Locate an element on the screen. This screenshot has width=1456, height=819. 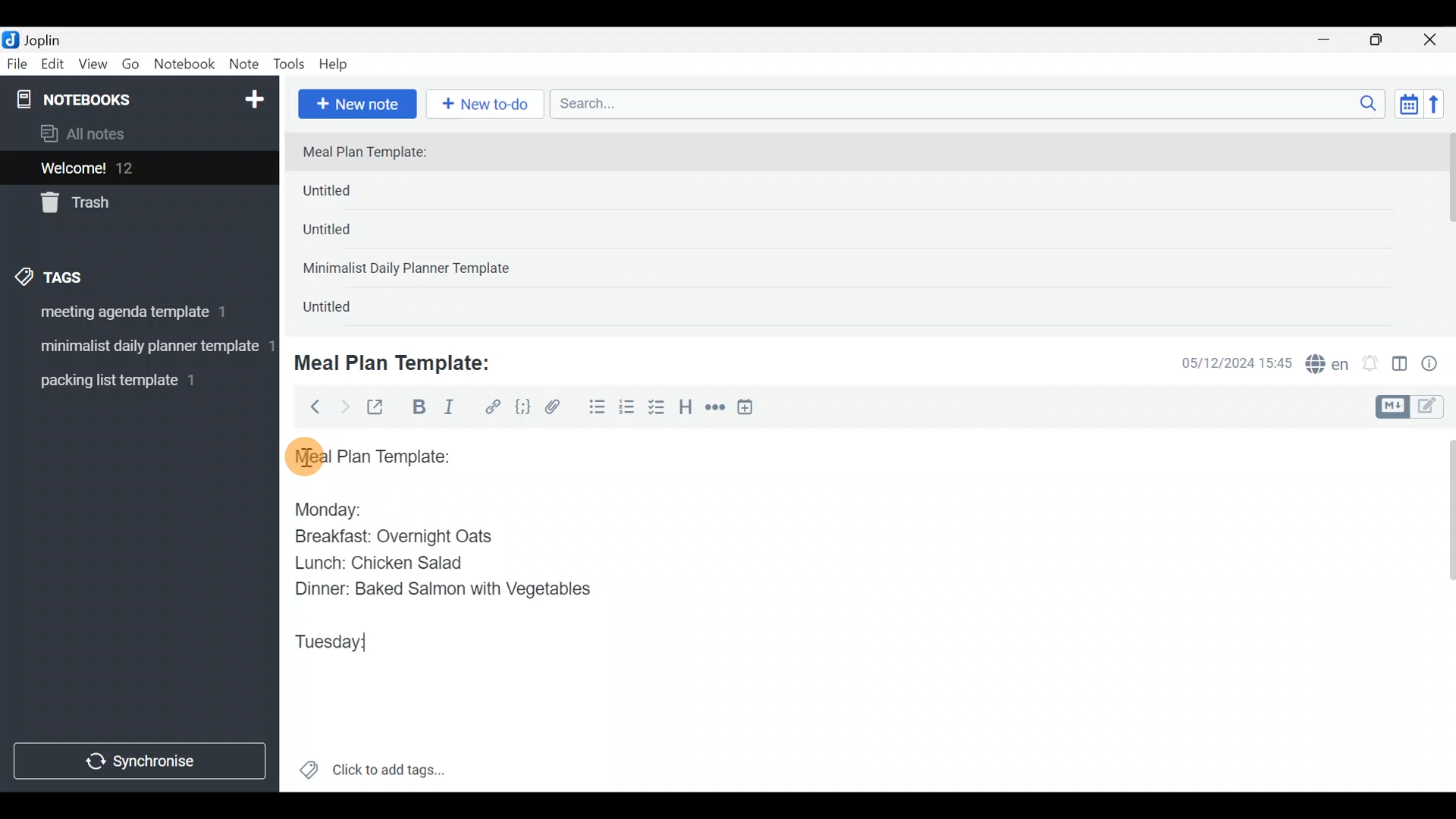
Tag 1 is located at coordinates (135, 316).